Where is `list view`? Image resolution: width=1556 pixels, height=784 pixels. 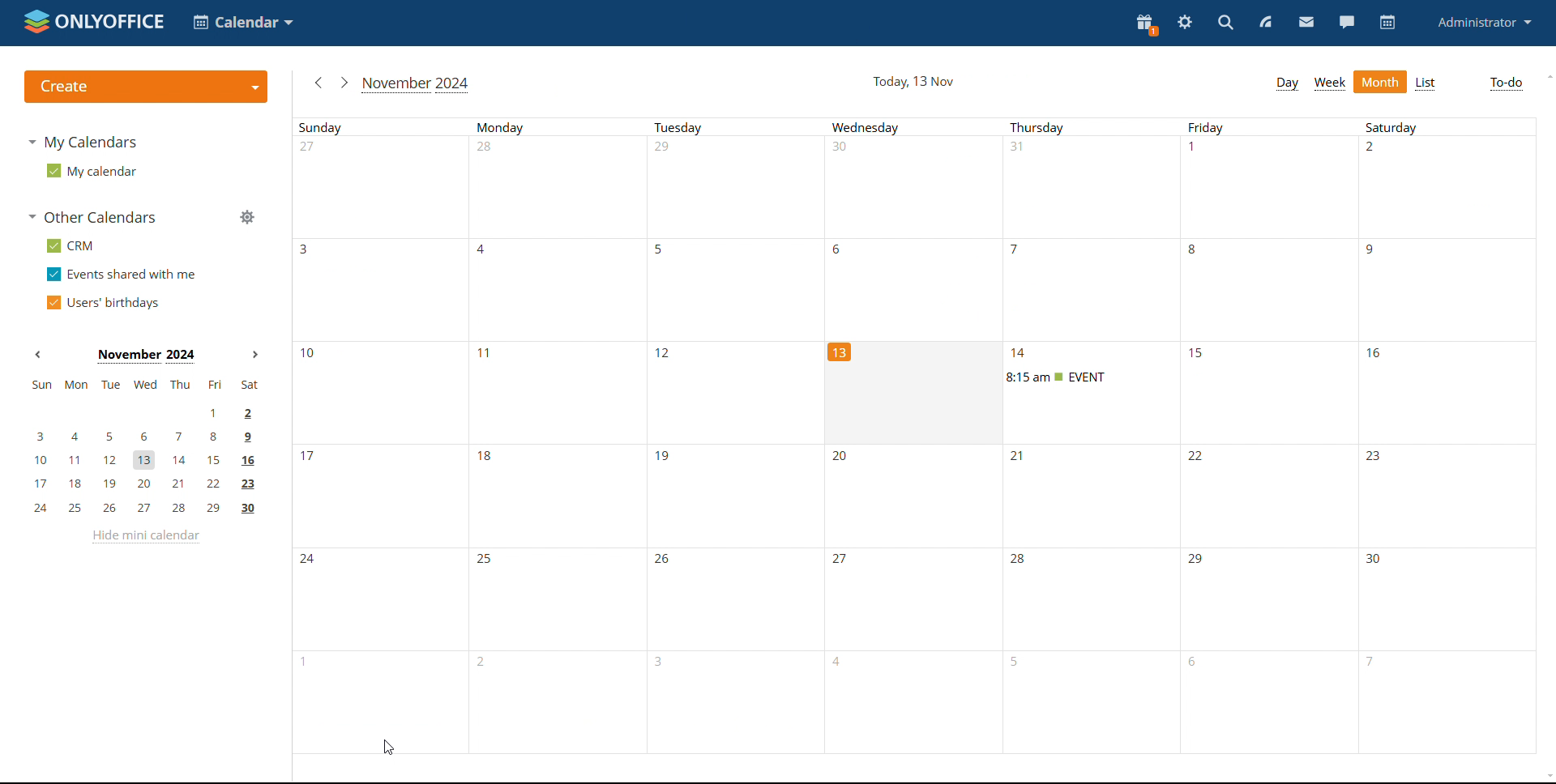 list view is located at coordinates (1427, 82).